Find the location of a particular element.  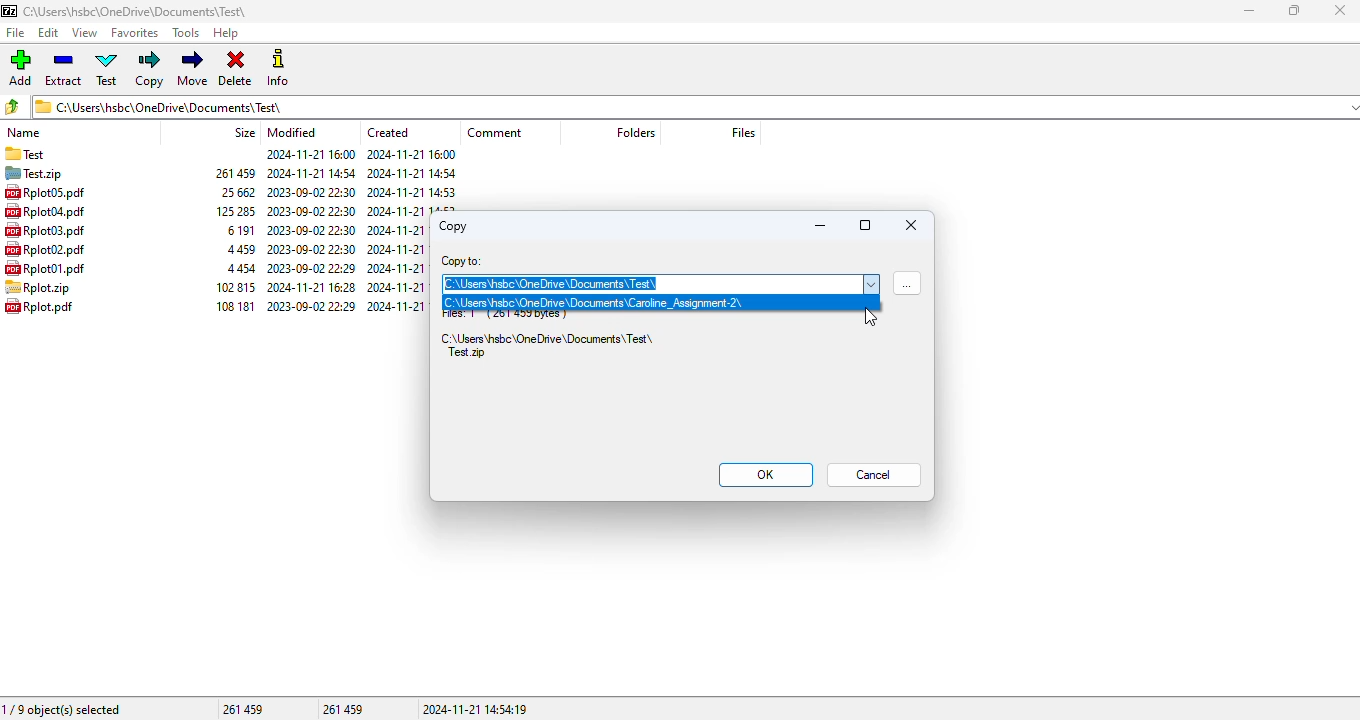

modified date & time is located at coordinates (312, 212).